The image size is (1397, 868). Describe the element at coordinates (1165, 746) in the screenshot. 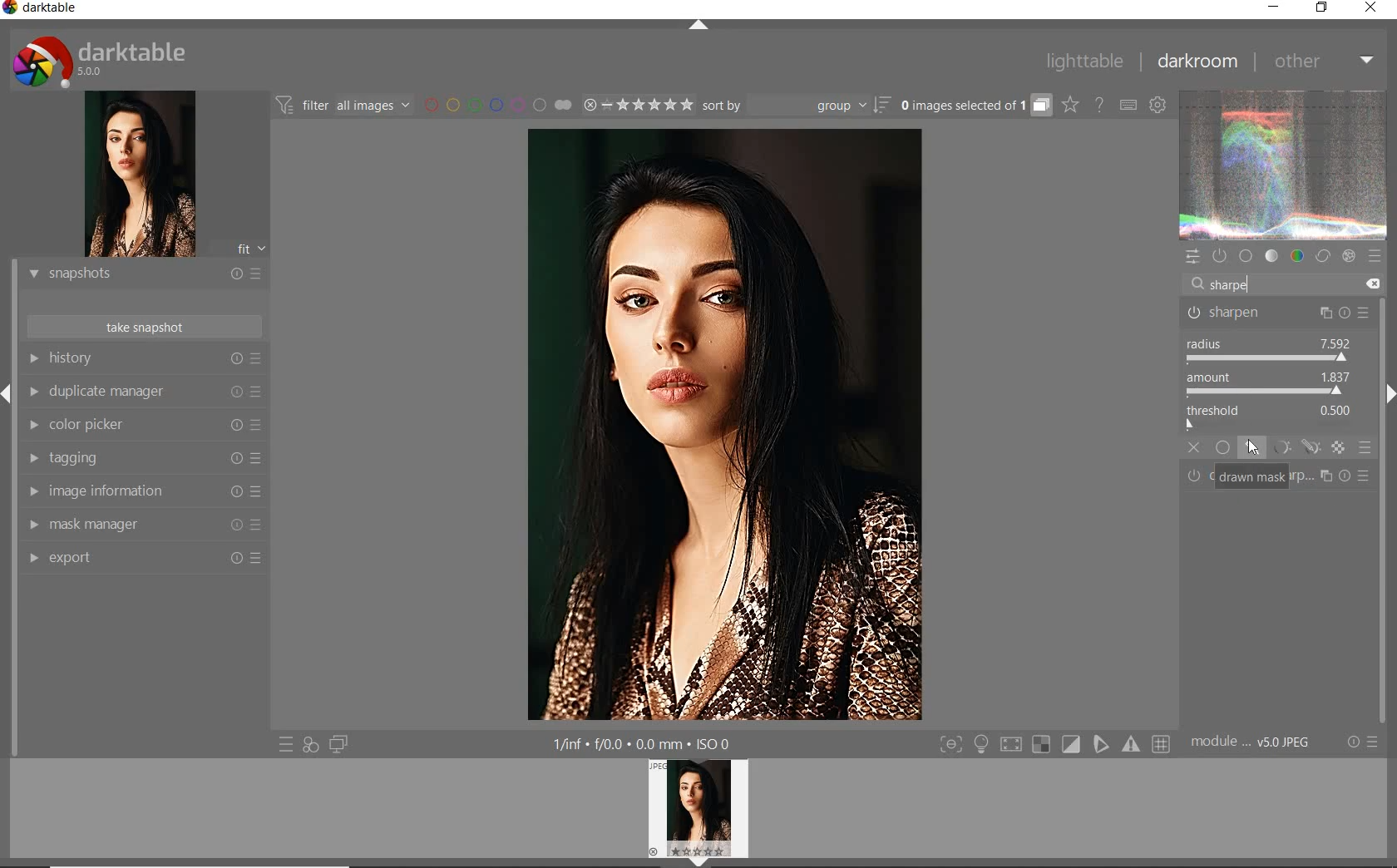

I see `sign ` at that location.